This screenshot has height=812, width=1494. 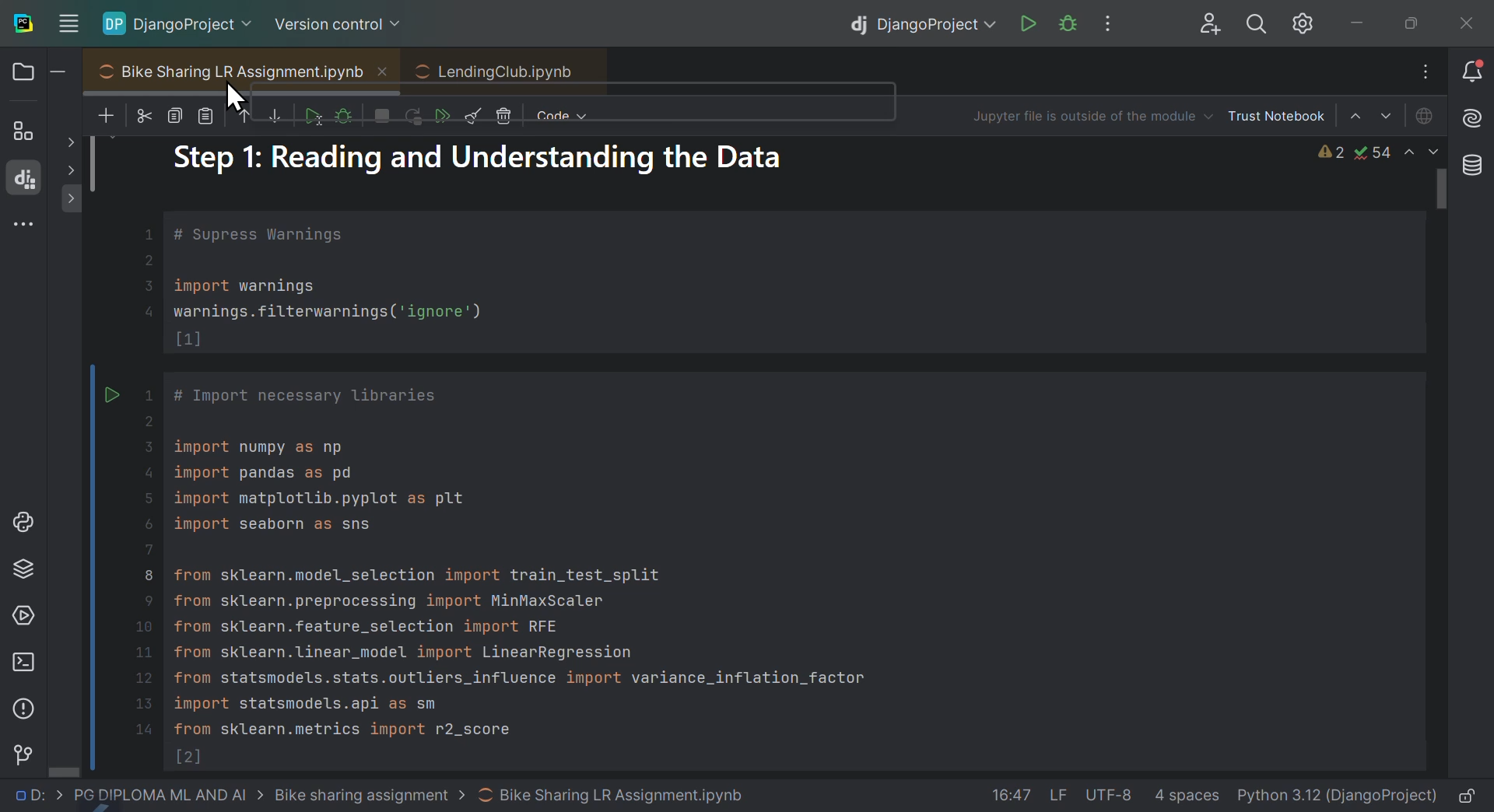 What do you see at coordinates (503, 69) in the screenshot?
I see `LendingClub.ipynb` at bounding box center [503, 69].